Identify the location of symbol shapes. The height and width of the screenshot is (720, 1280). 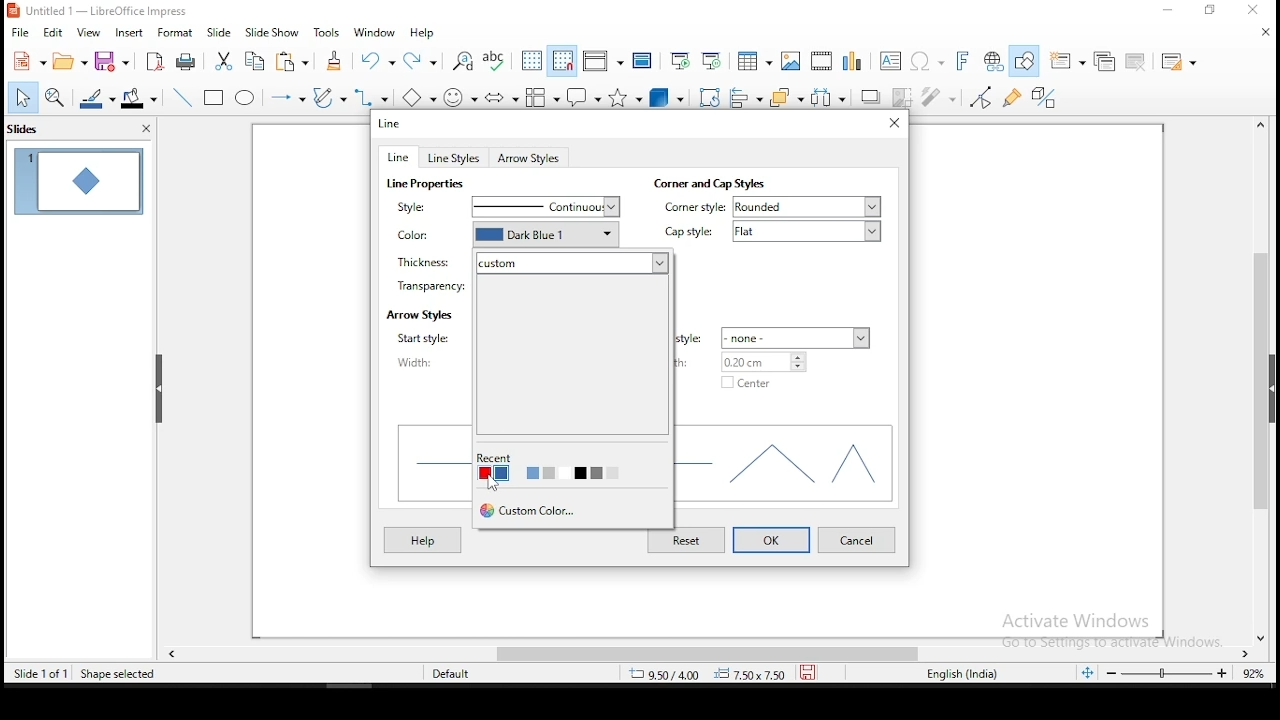
(464, 100).